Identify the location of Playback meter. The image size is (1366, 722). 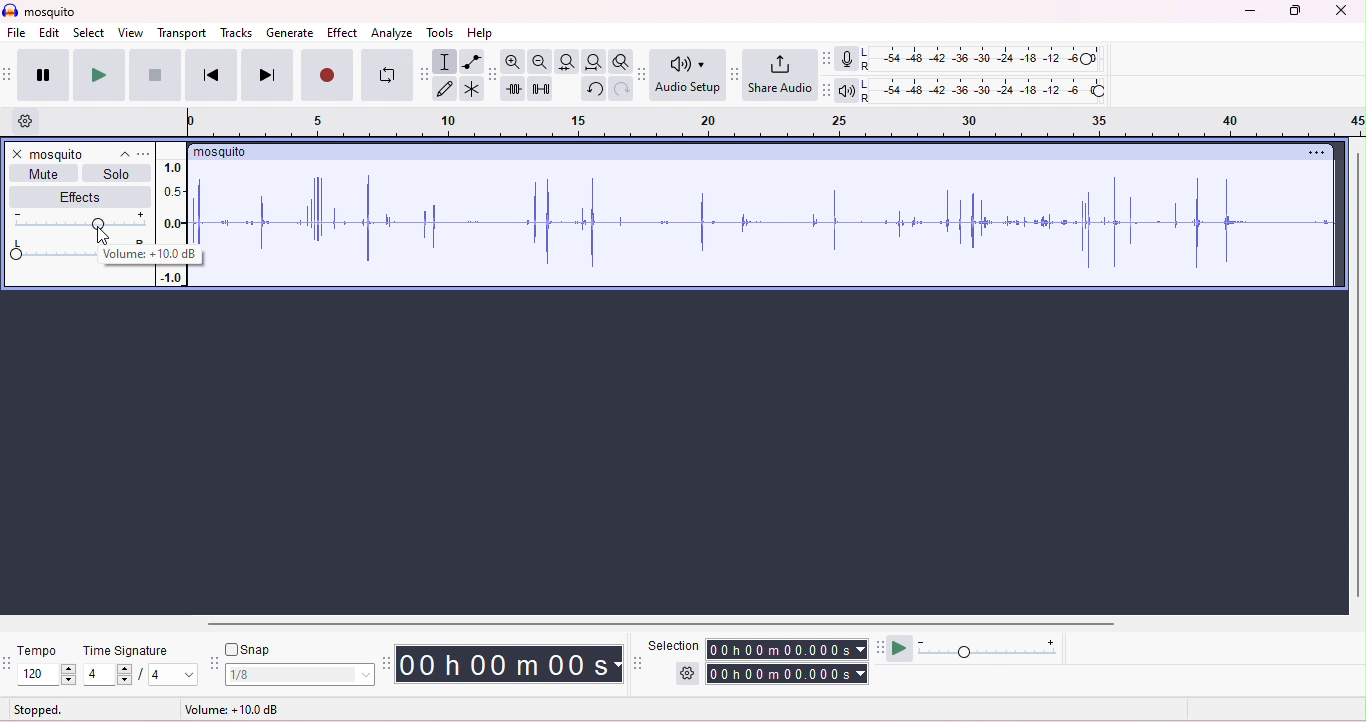
(846, 91).